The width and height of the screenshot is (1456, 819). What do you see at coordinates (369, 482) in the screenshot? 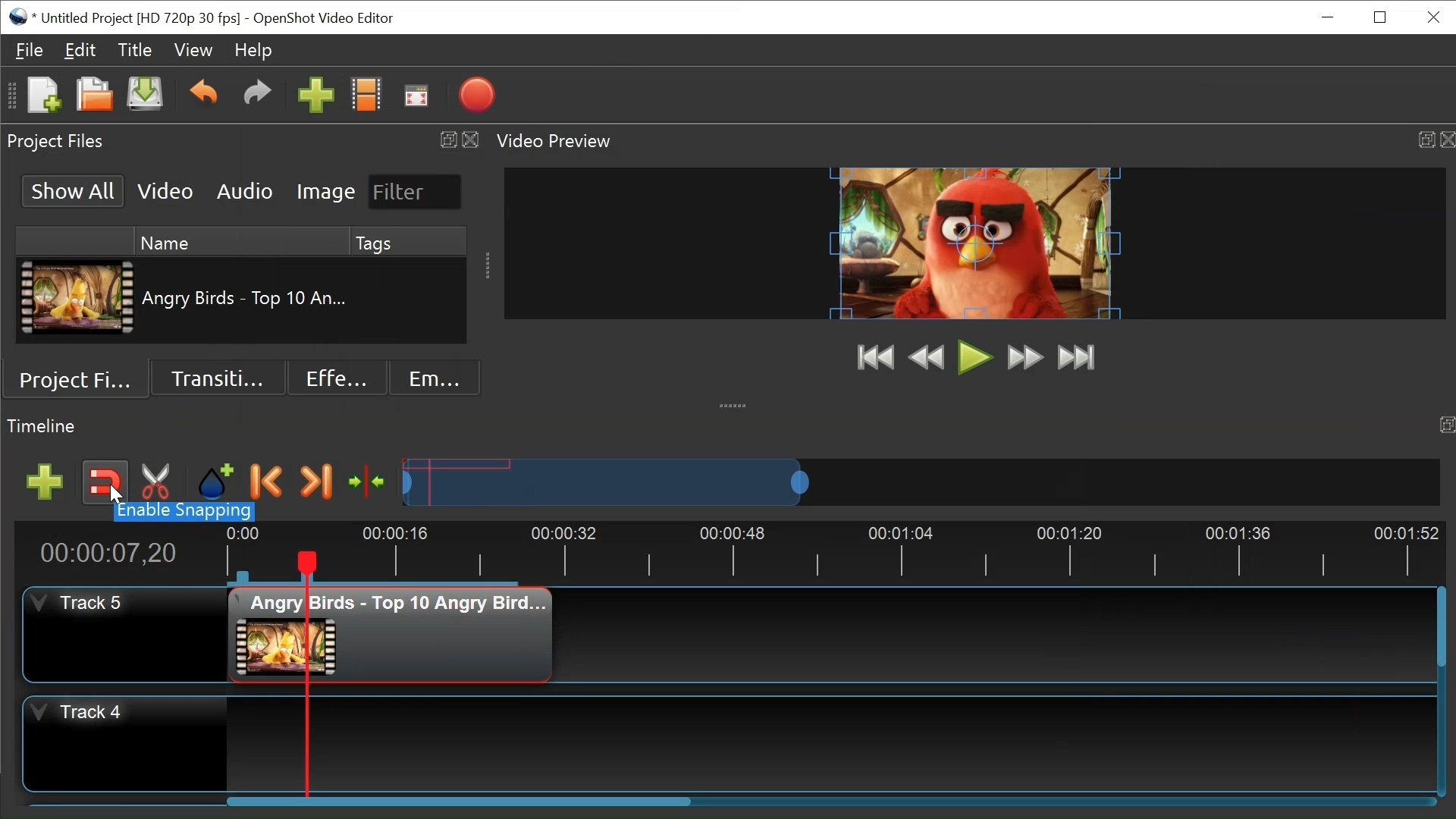
I see `Center the timeline on the playhead` at bounding box center [369, 482].